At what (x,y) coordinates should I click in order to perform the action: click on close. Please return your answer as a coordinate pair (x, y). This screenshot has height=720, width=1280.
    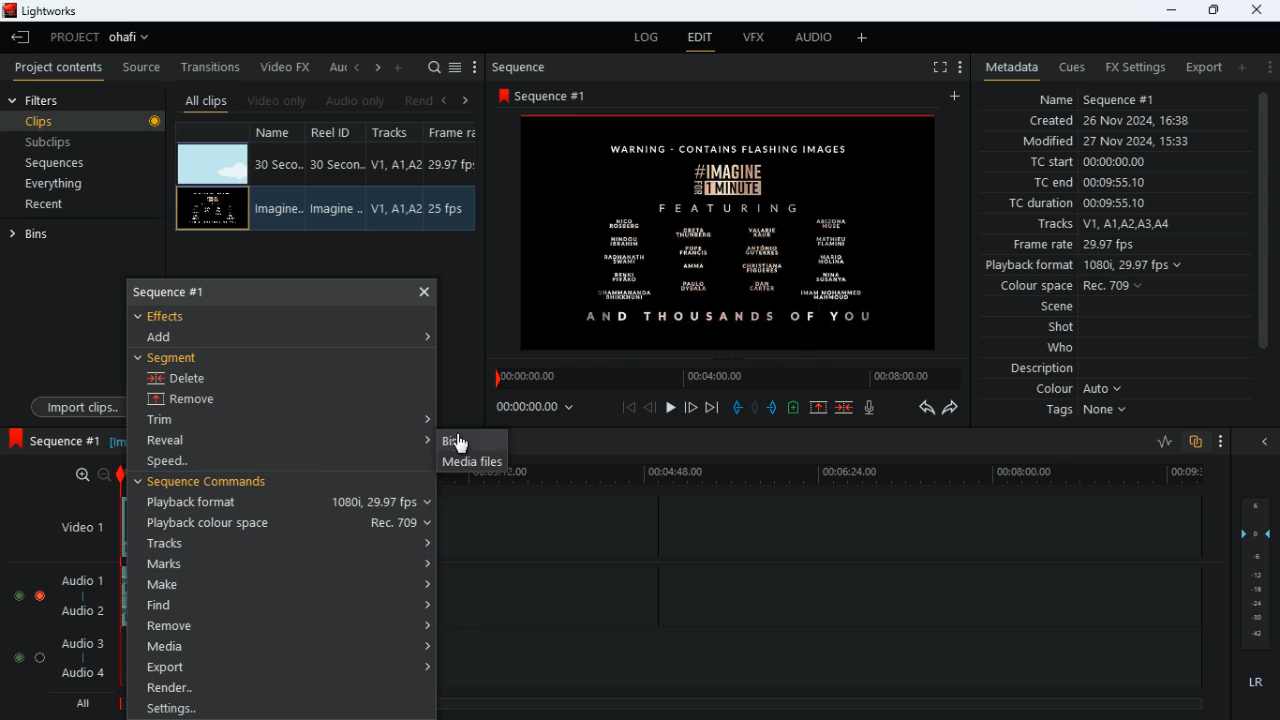
    Looking at the image, I should click on (1258, 8).